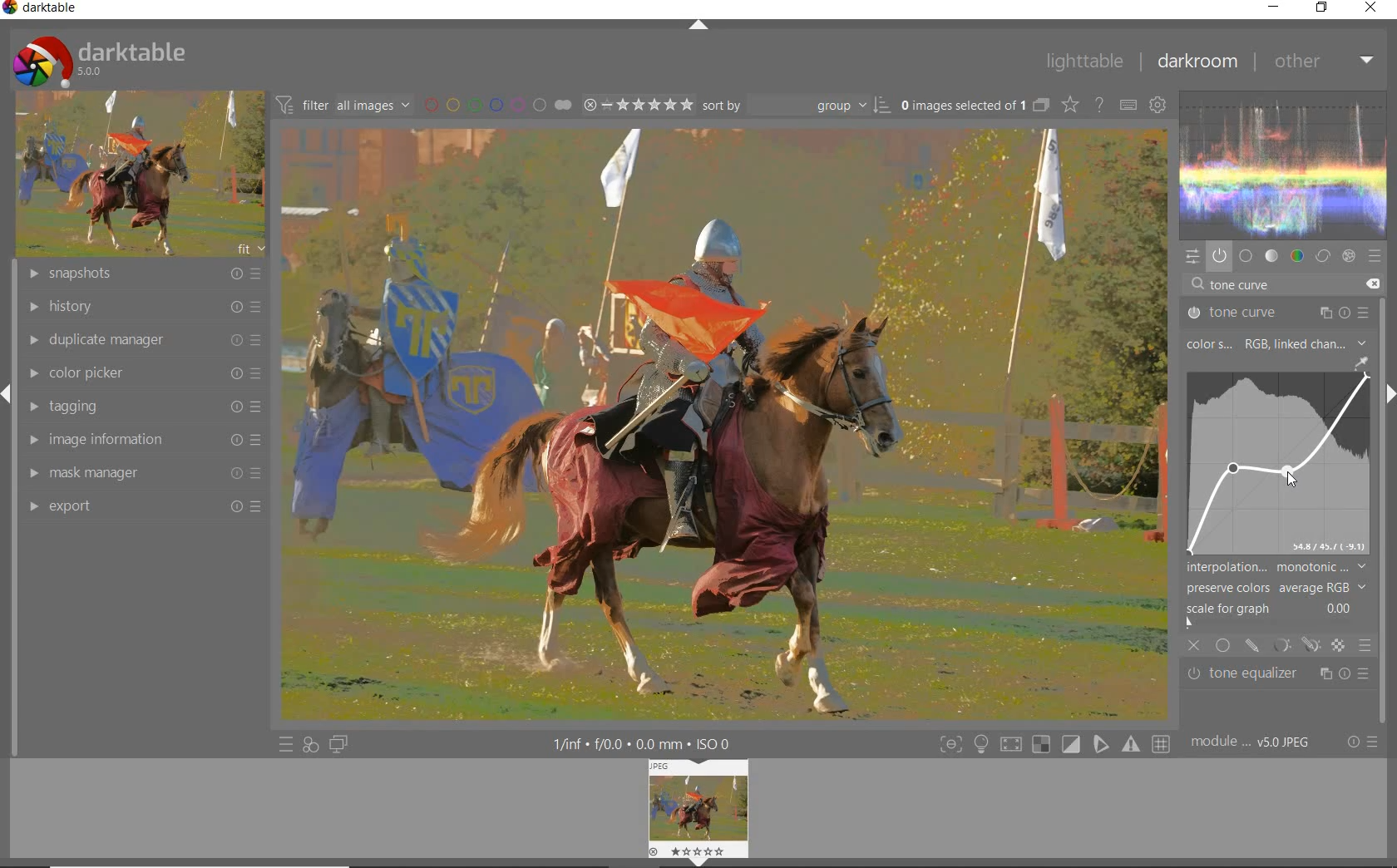 The height and width of the screenshot is (868, 1397). I want to click on Image preview, so click(701, 810).